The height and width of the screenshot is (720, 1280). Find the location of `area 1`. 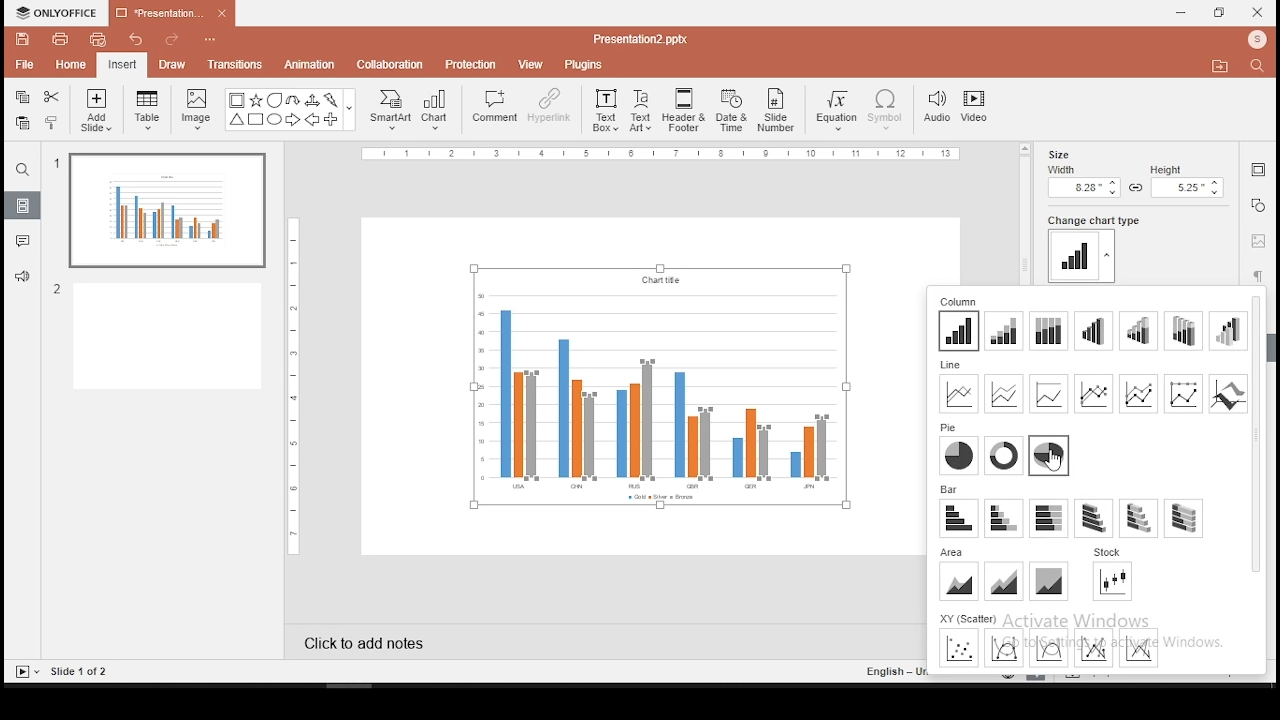

area 1 is located at coordinates (959, 581).